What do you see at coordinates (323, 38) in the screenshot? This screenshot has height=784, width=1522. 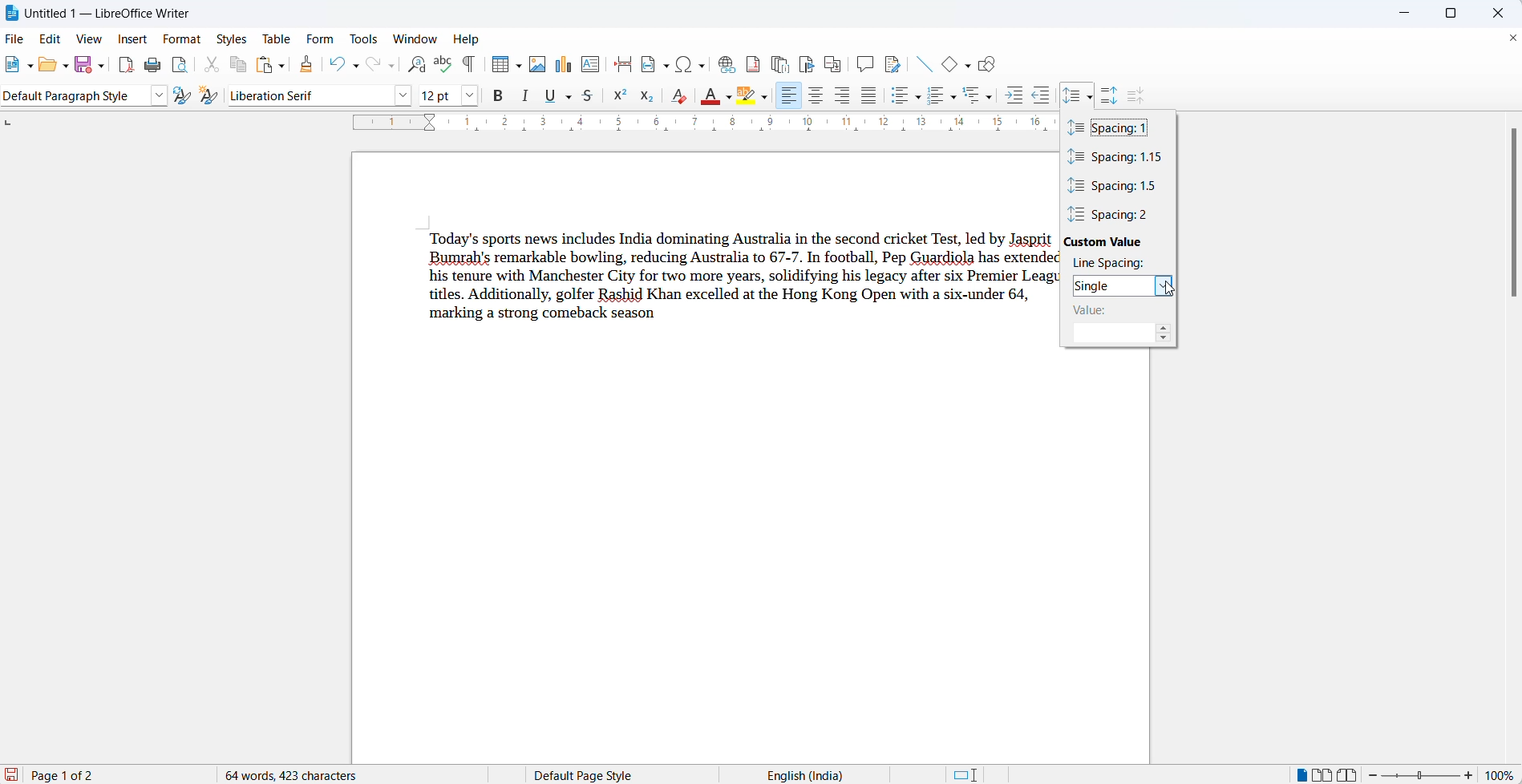 I see `form` at bounding box center [323, 38].